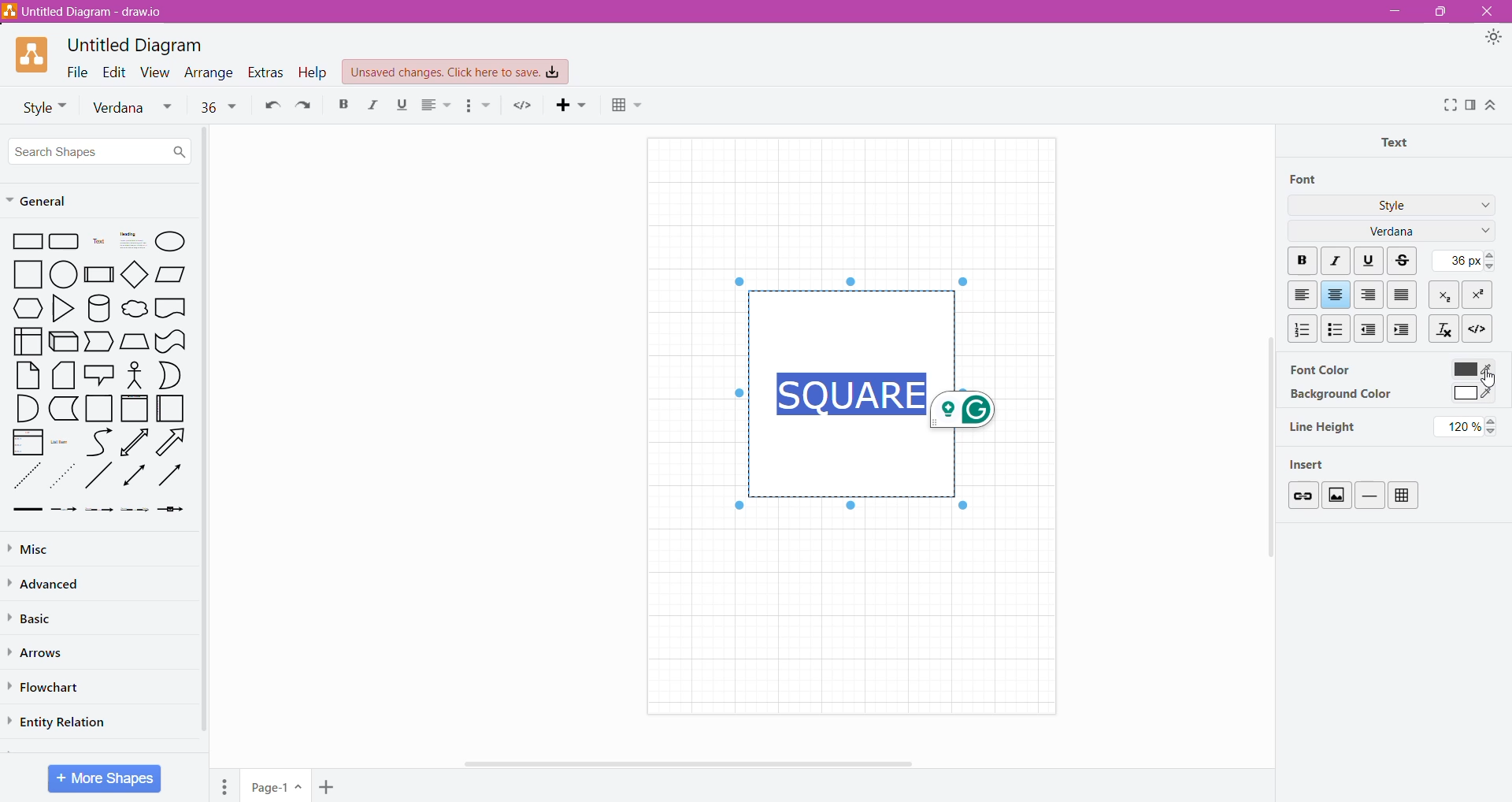 Image resolution: width=1512 pixels, height=802 pixels. What do you see at coordinates (99, 343) in the screenshot?
I see `Trapezoid` at bounding box center [99, 343].